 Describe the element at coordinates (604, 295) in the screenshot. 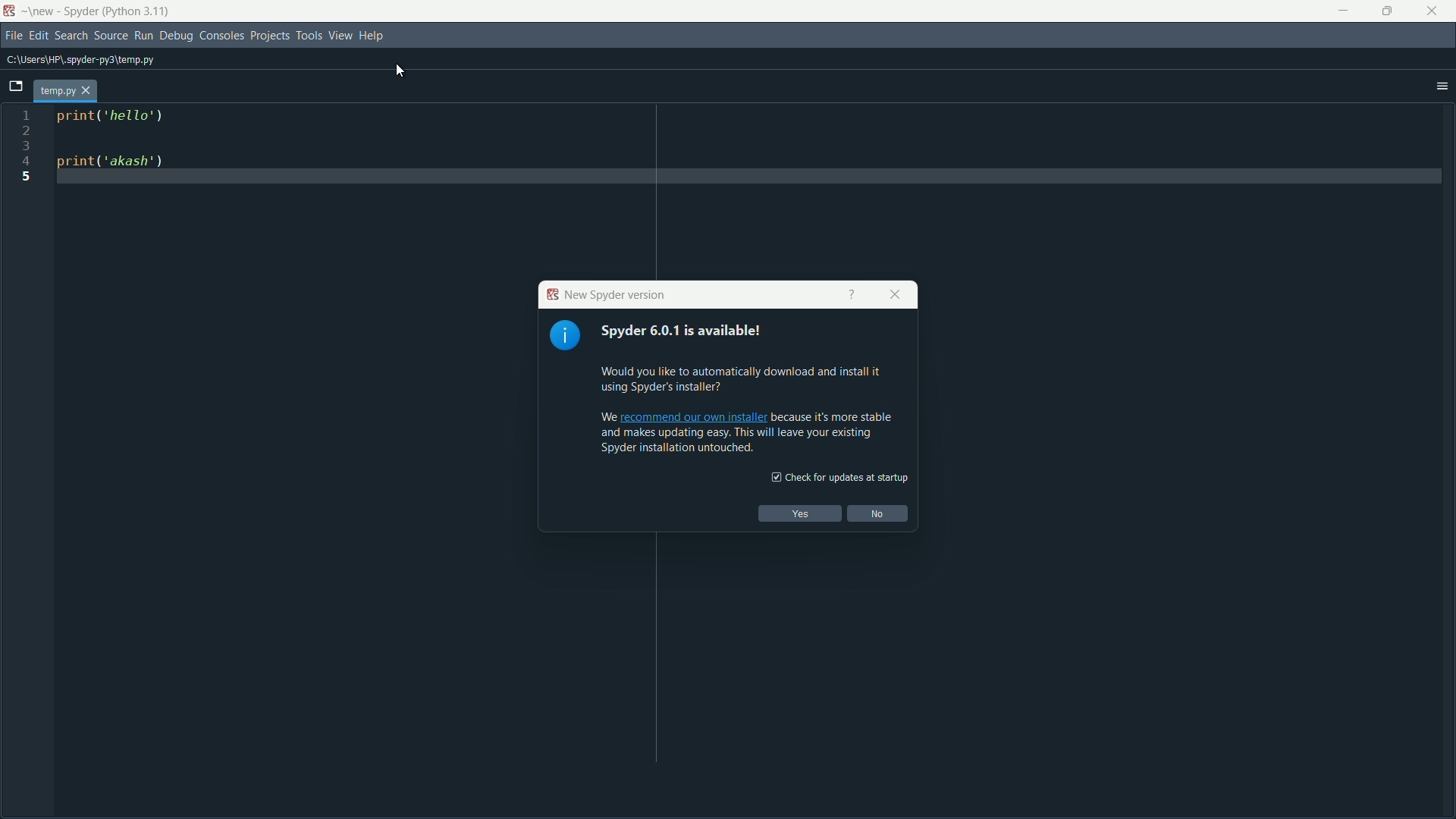

I see `new spyder version` at that location.